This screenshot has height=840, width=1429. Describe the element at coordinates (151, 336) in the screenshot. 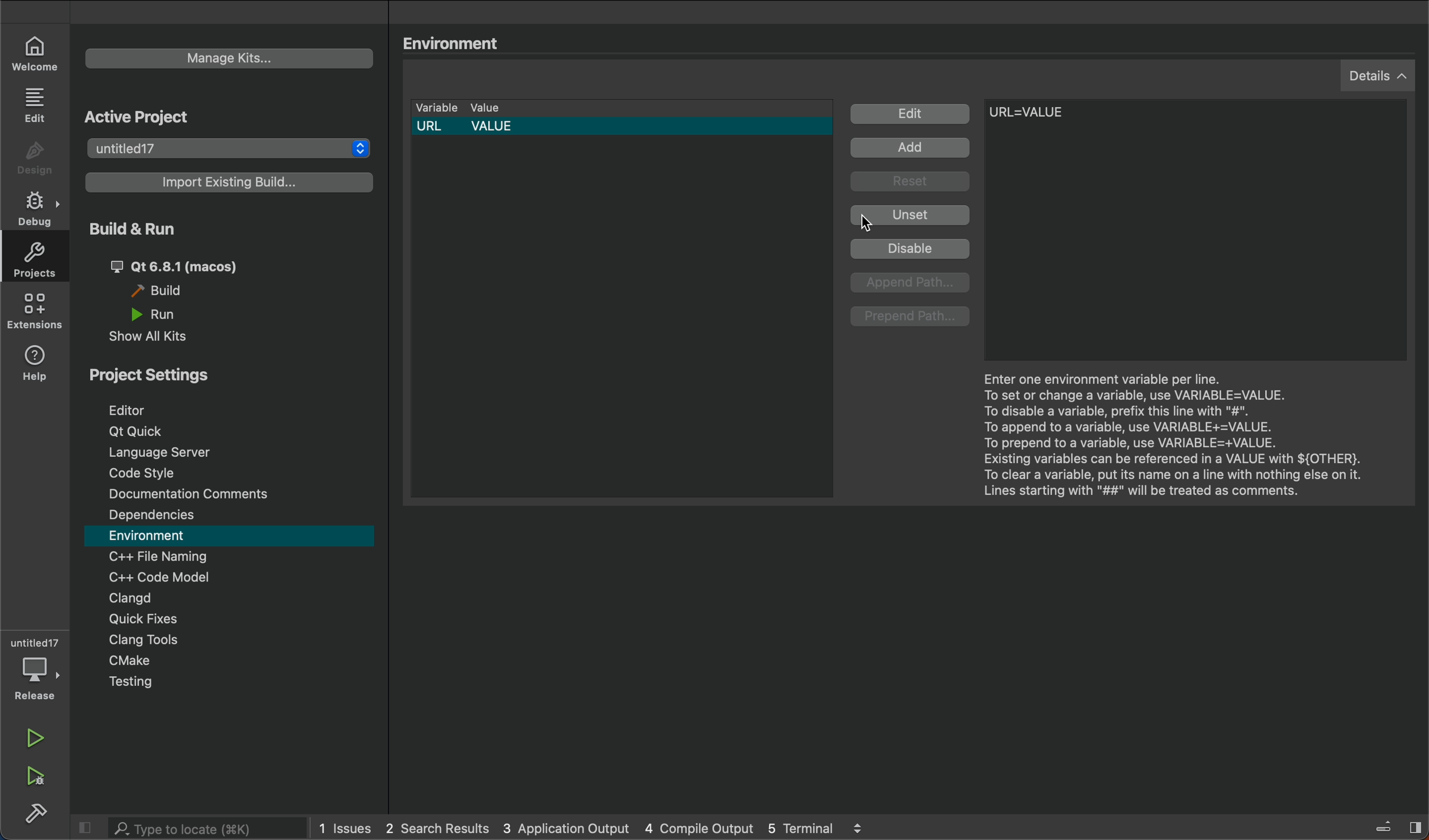

I see `show all kits` at that location.